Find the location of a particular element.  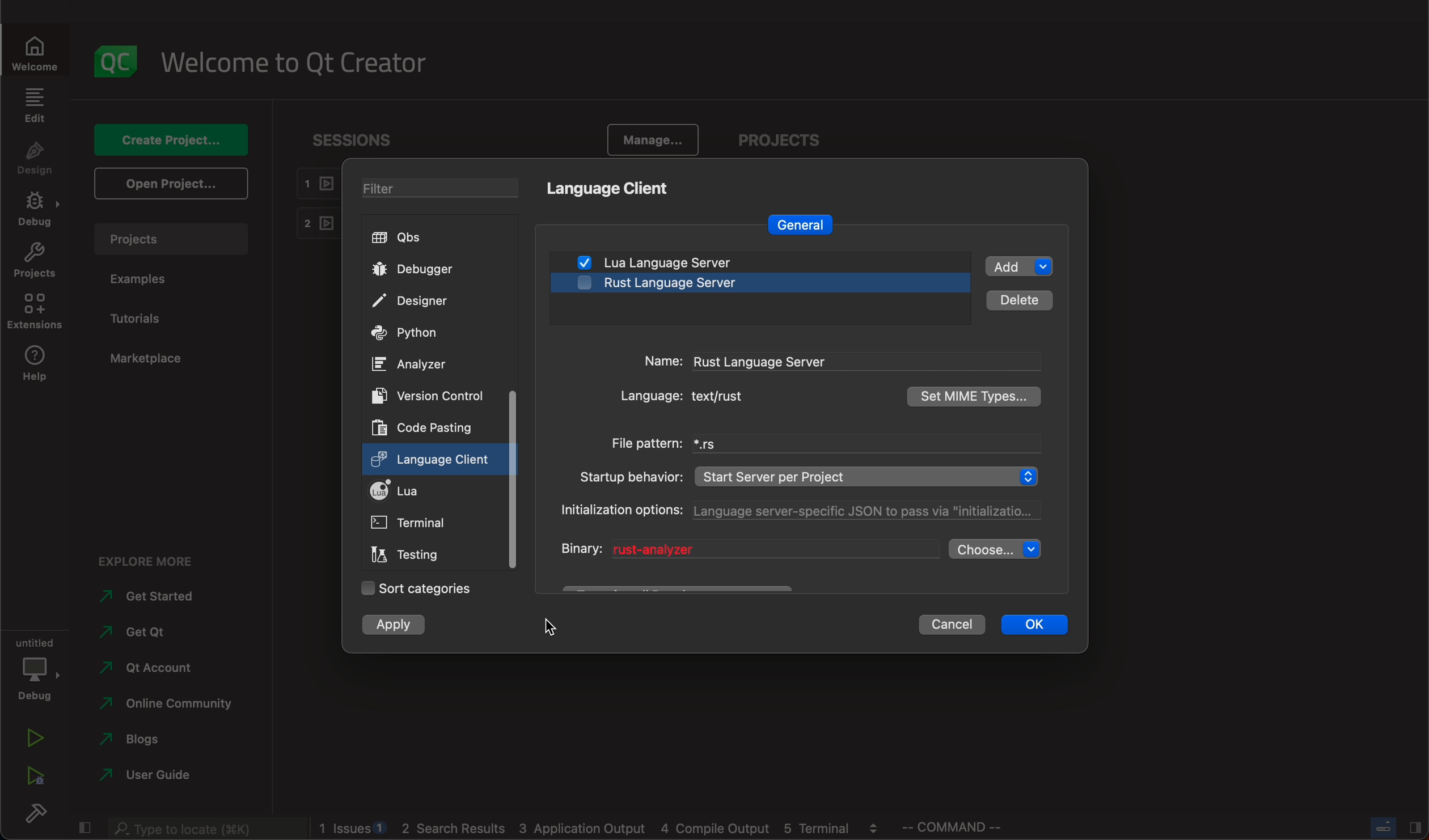

testing is located at coordinates (407, 554).